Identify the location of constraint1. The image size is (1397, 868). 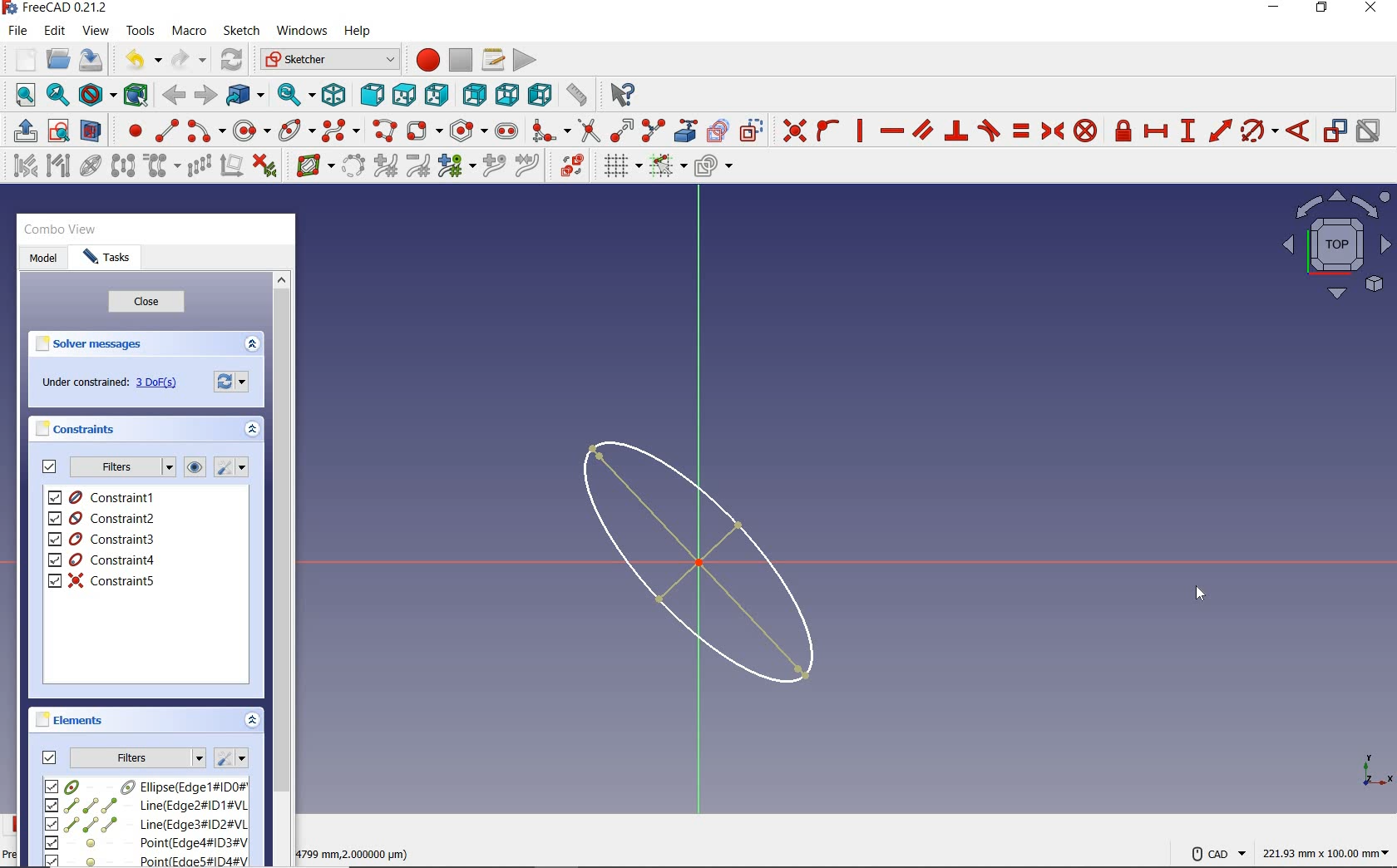
(107, 497).